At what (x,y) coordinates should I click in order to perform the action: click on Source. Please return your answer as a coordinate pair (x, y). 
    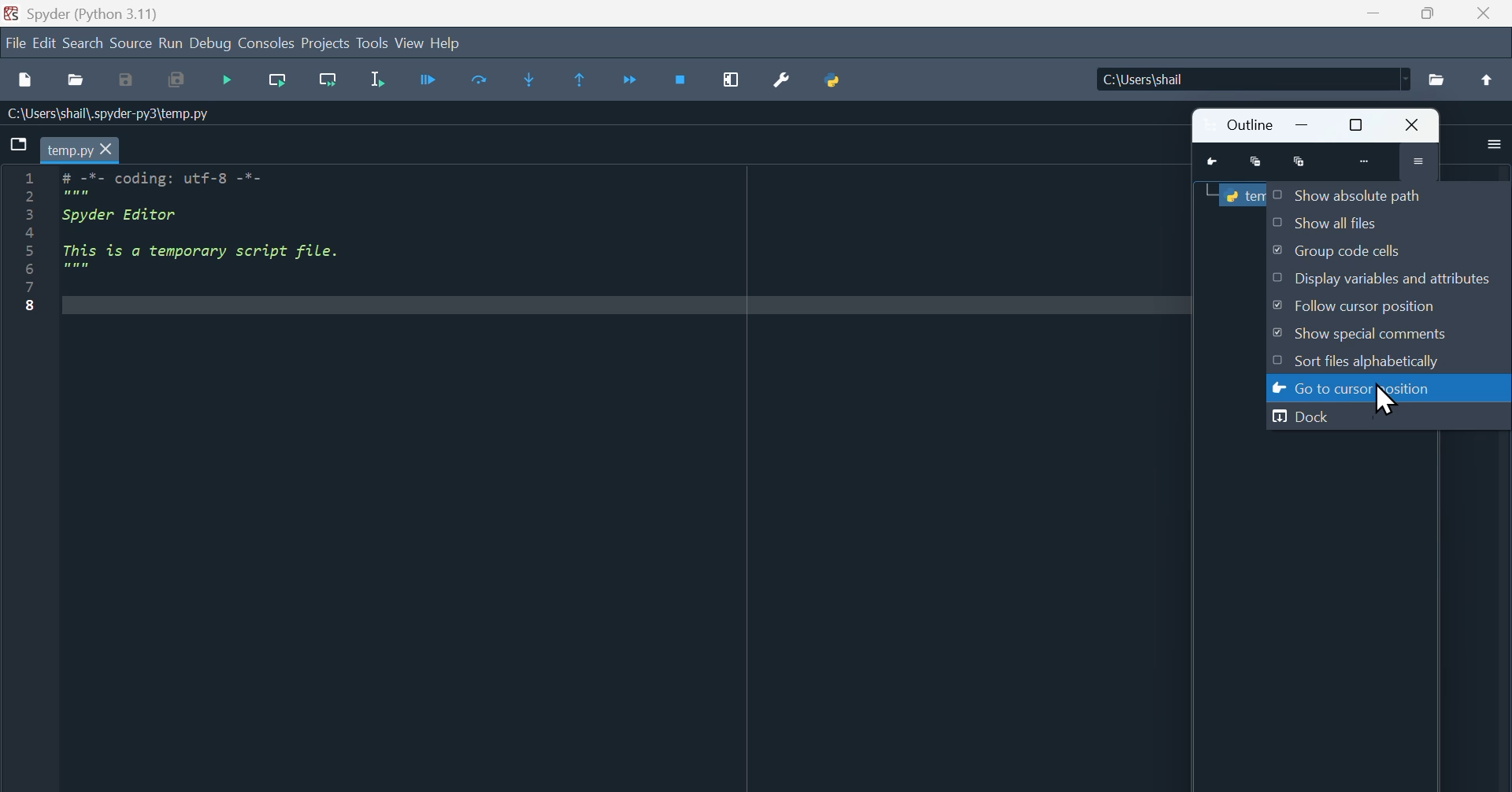
    Looking at the image, I should click on (131, 41).